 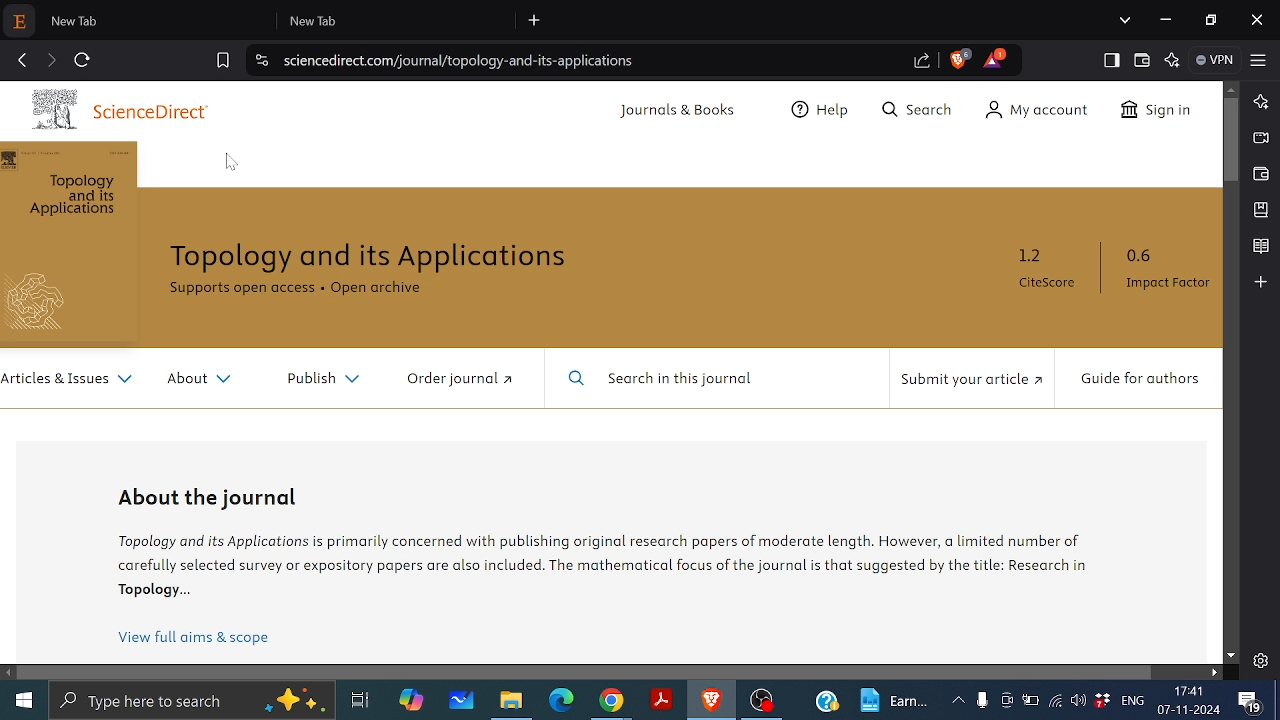 What do you see at coordinates (982, 701) in the screenshot?
I see `Recorder` at bounding box center [982, 701].